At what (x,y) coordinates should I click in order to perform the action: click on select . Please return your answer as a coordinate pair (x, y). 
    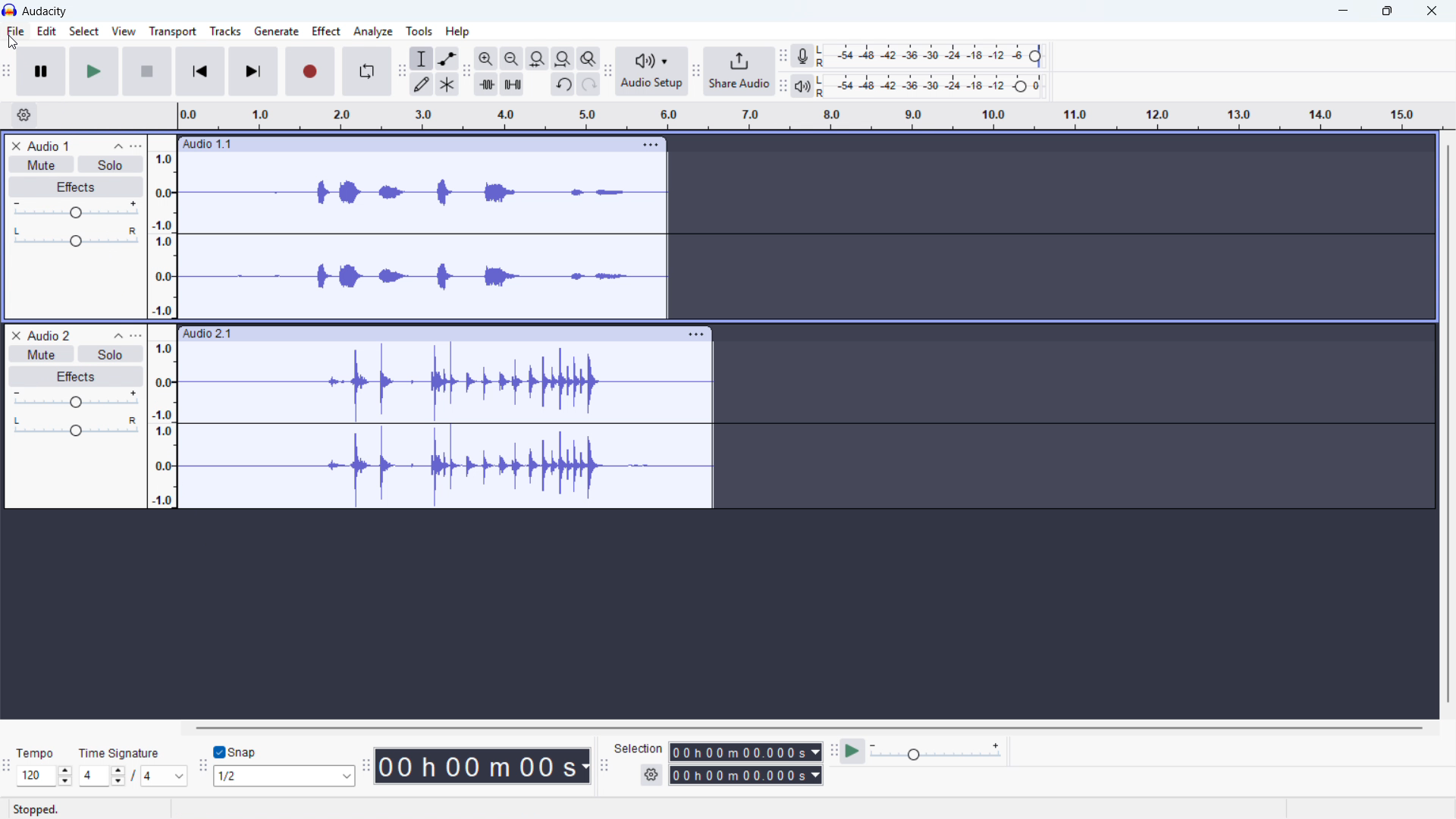
    Looking at the image, I should click on (84, 31).